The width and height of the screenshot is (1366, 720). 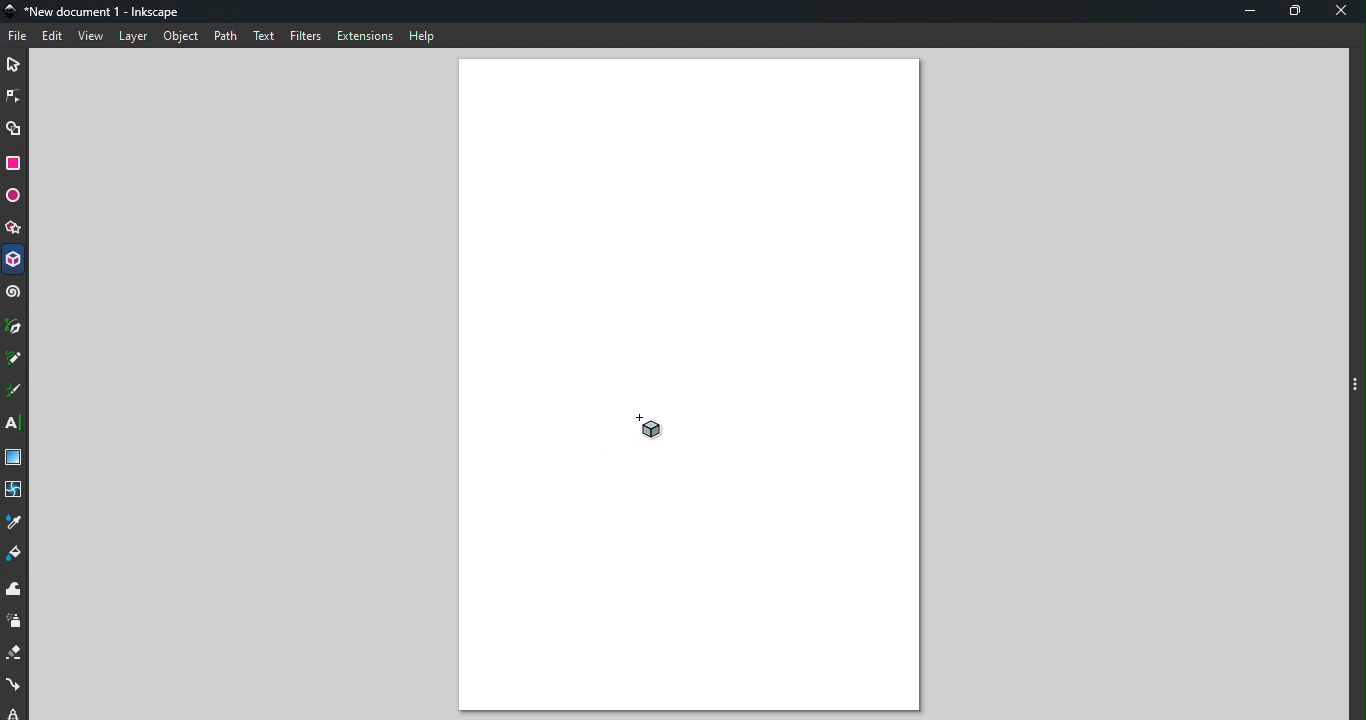 I want to click on 3D box tool, so click(x=14, y=259).